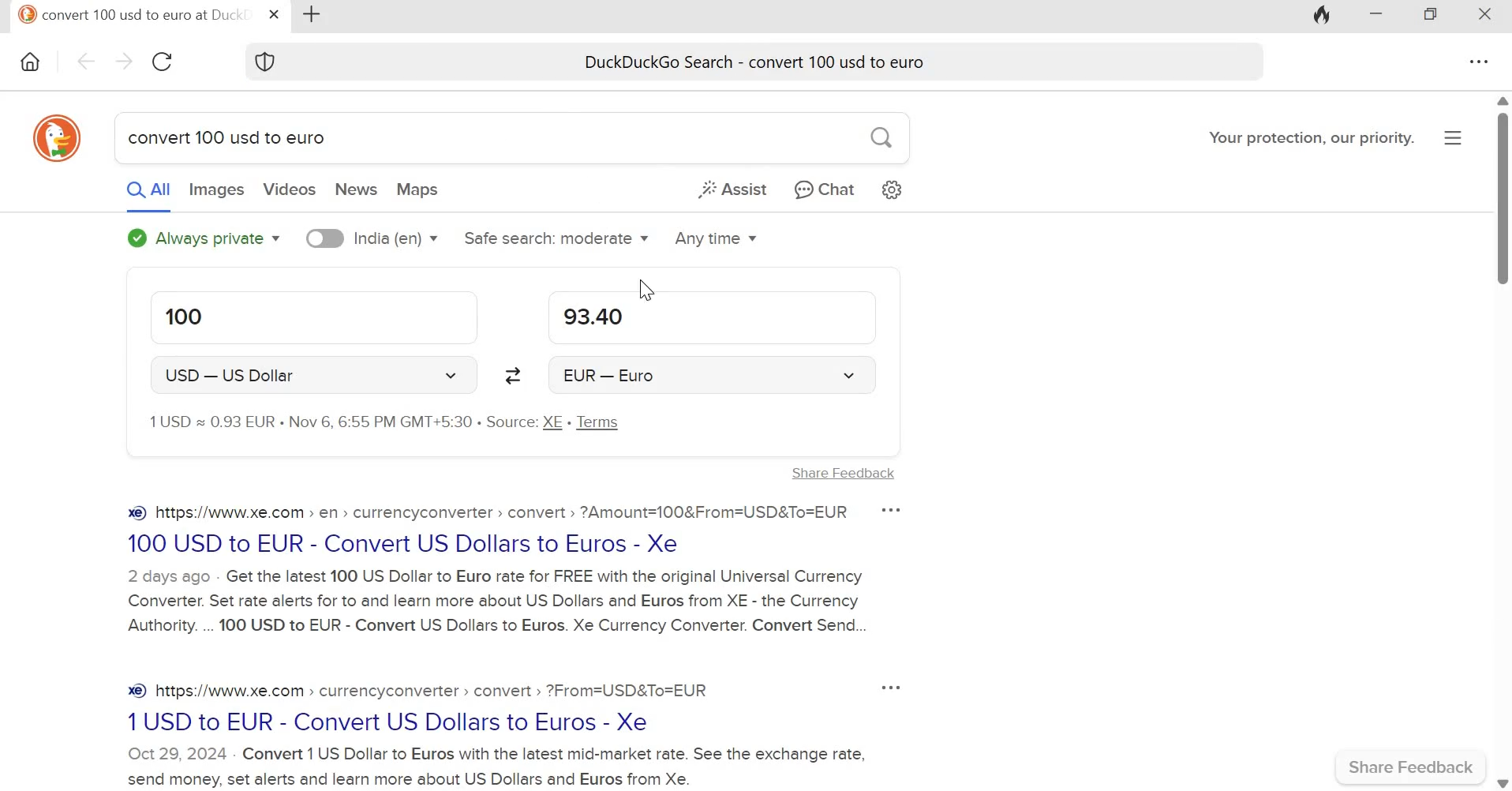 This screenshot has width=1512, height=791. I want to click on All, so click(150, 189).